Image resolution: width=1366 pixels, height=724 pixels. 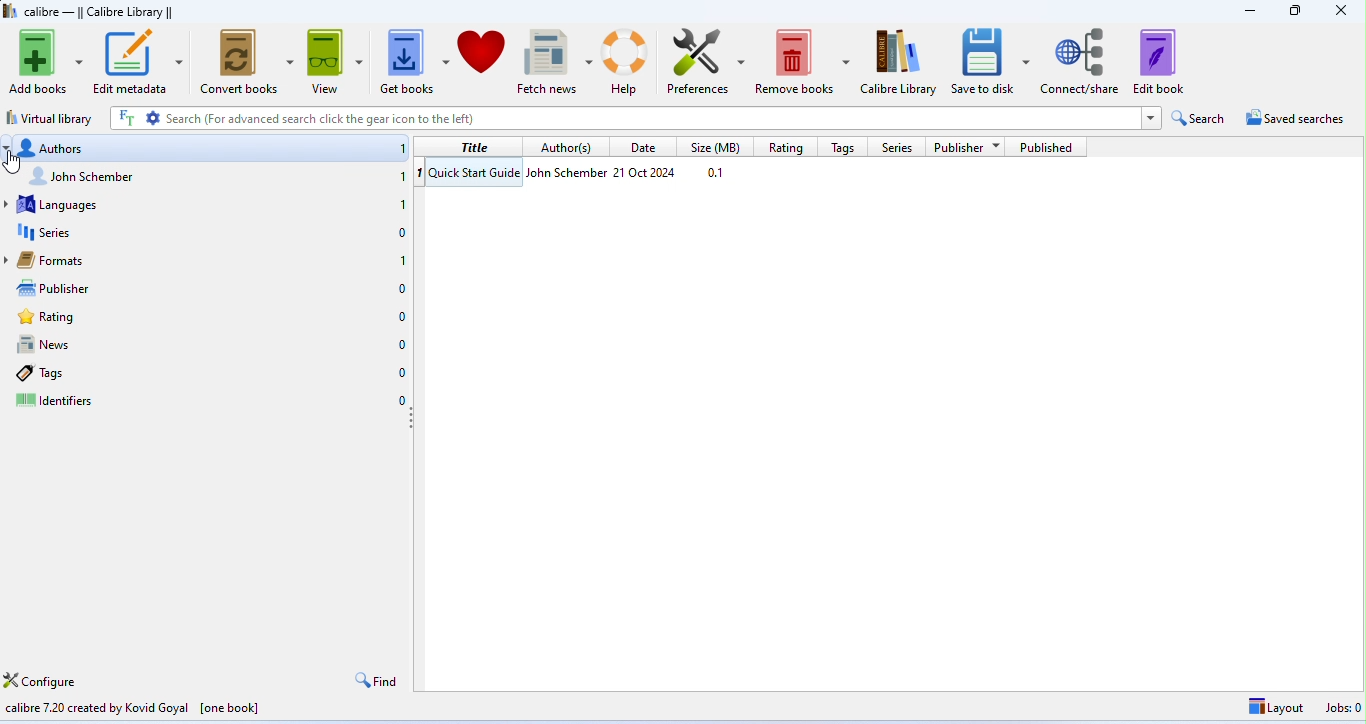 What do you see at coordinates (9, 204) in the screenshot?
I see `expand languages` at bounding box center [9, 204].